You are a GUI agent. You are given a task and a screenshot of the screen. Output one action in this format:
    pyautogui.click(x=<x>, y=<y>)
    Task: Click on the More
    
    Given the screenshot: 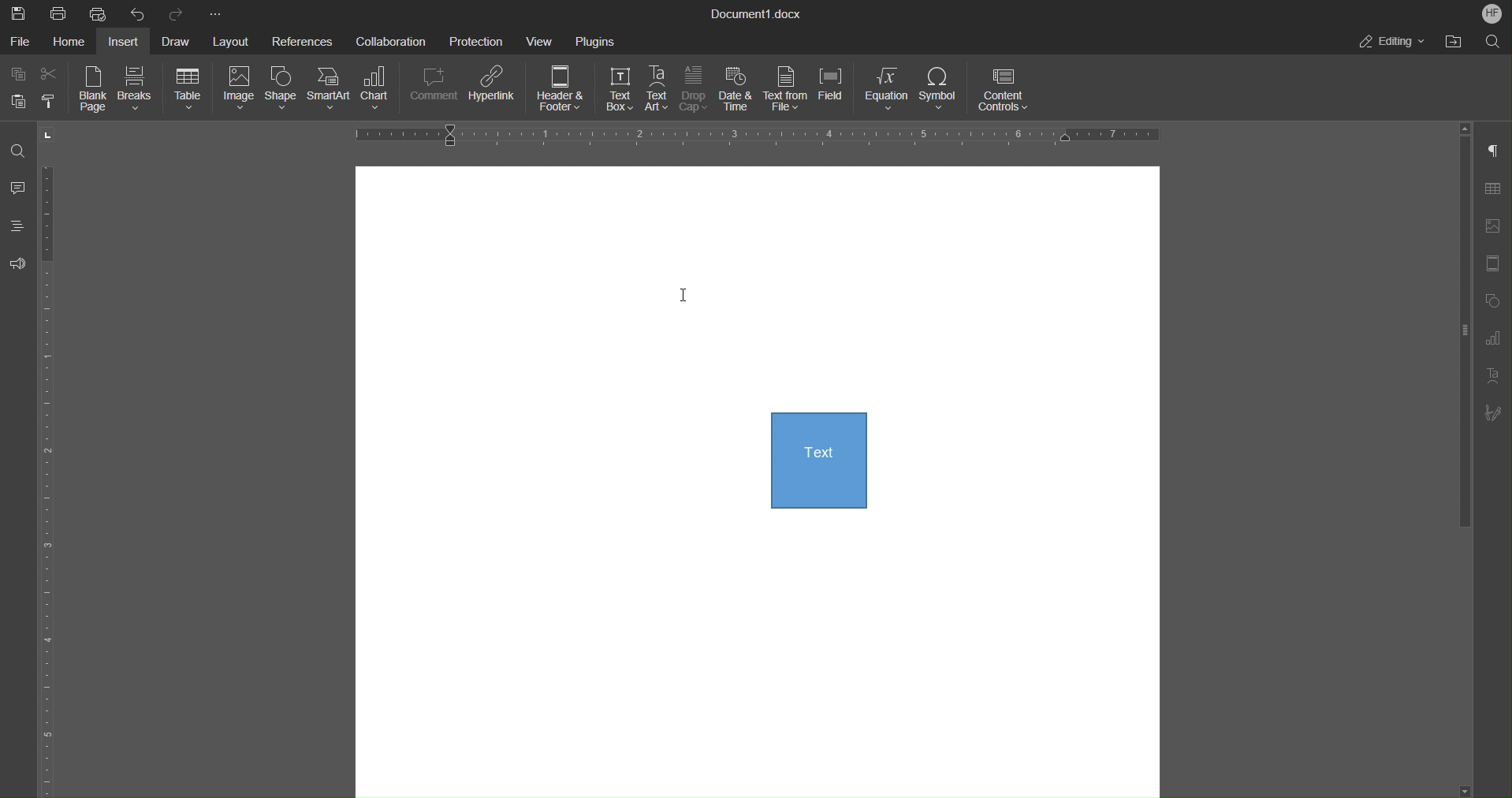 What is the action you would take?
    pyautogui.click(x=214, y=12)
    